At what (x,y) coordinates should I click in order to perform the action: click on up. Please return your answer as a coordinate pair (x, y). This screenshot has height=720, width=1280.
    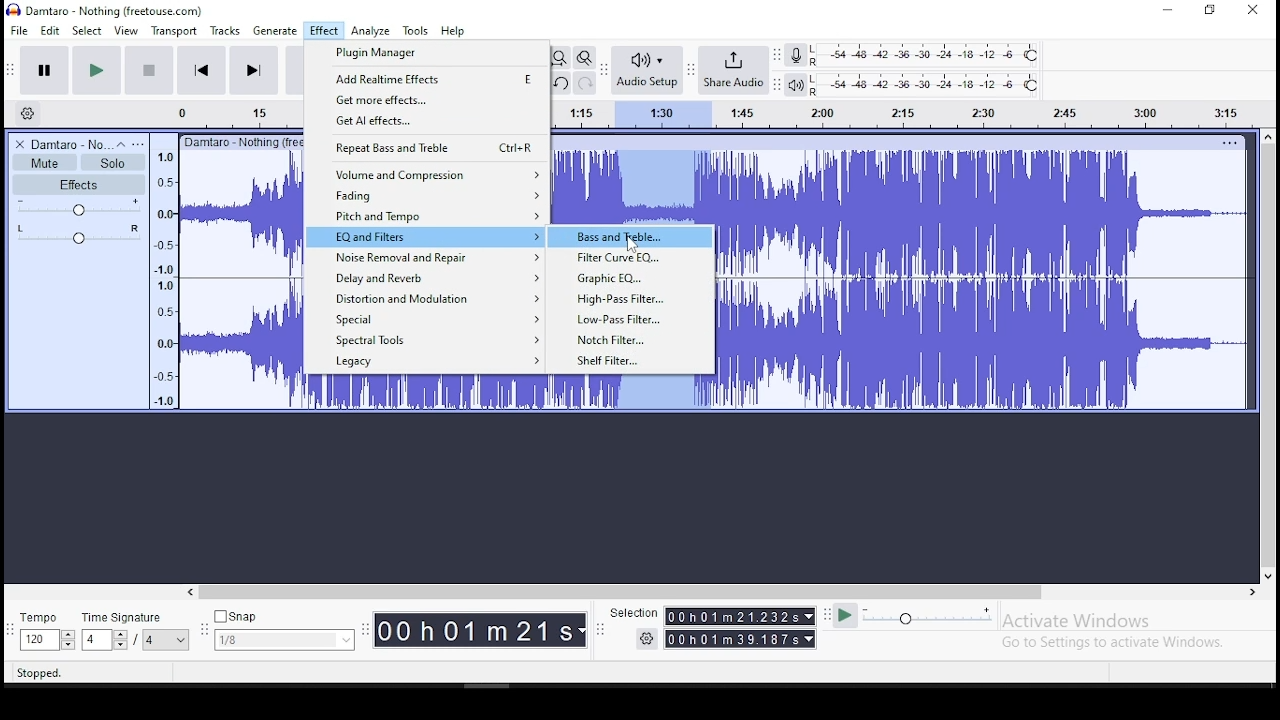
    Looking at the image, I should click on (1267, 136).